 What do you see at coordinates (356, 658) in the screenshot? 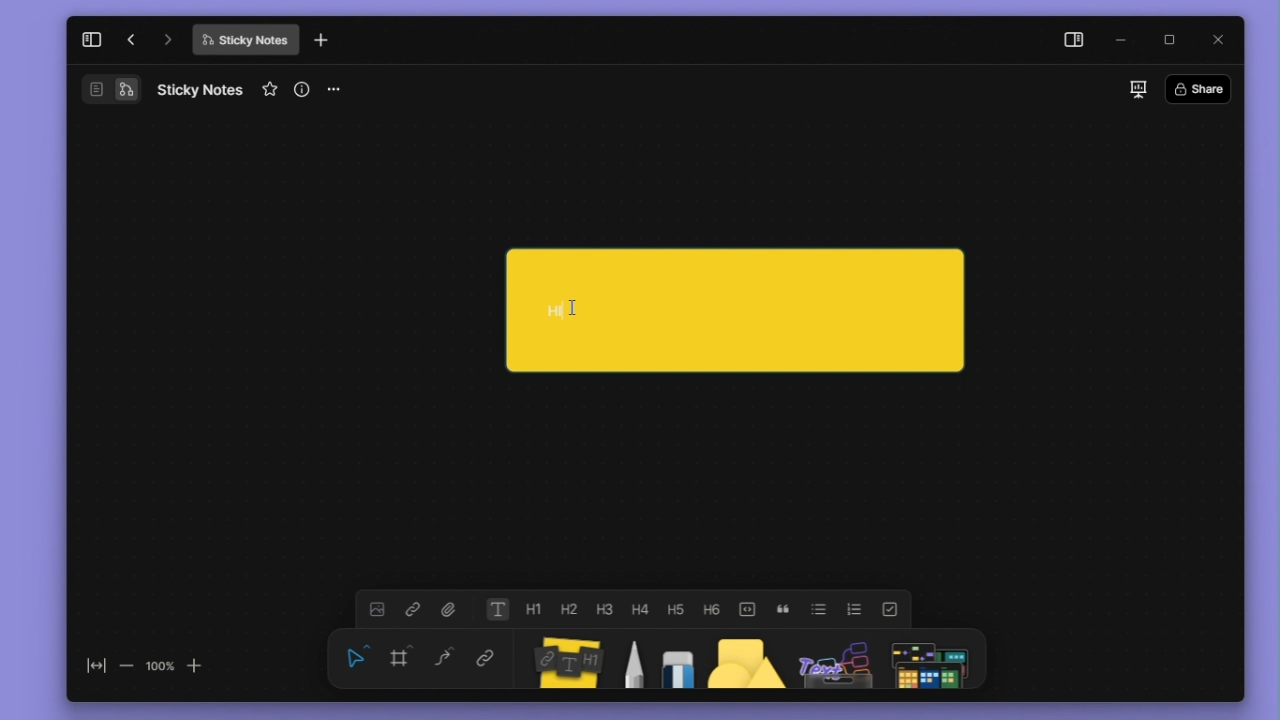
I see `select` at bounding box center [356, 658].